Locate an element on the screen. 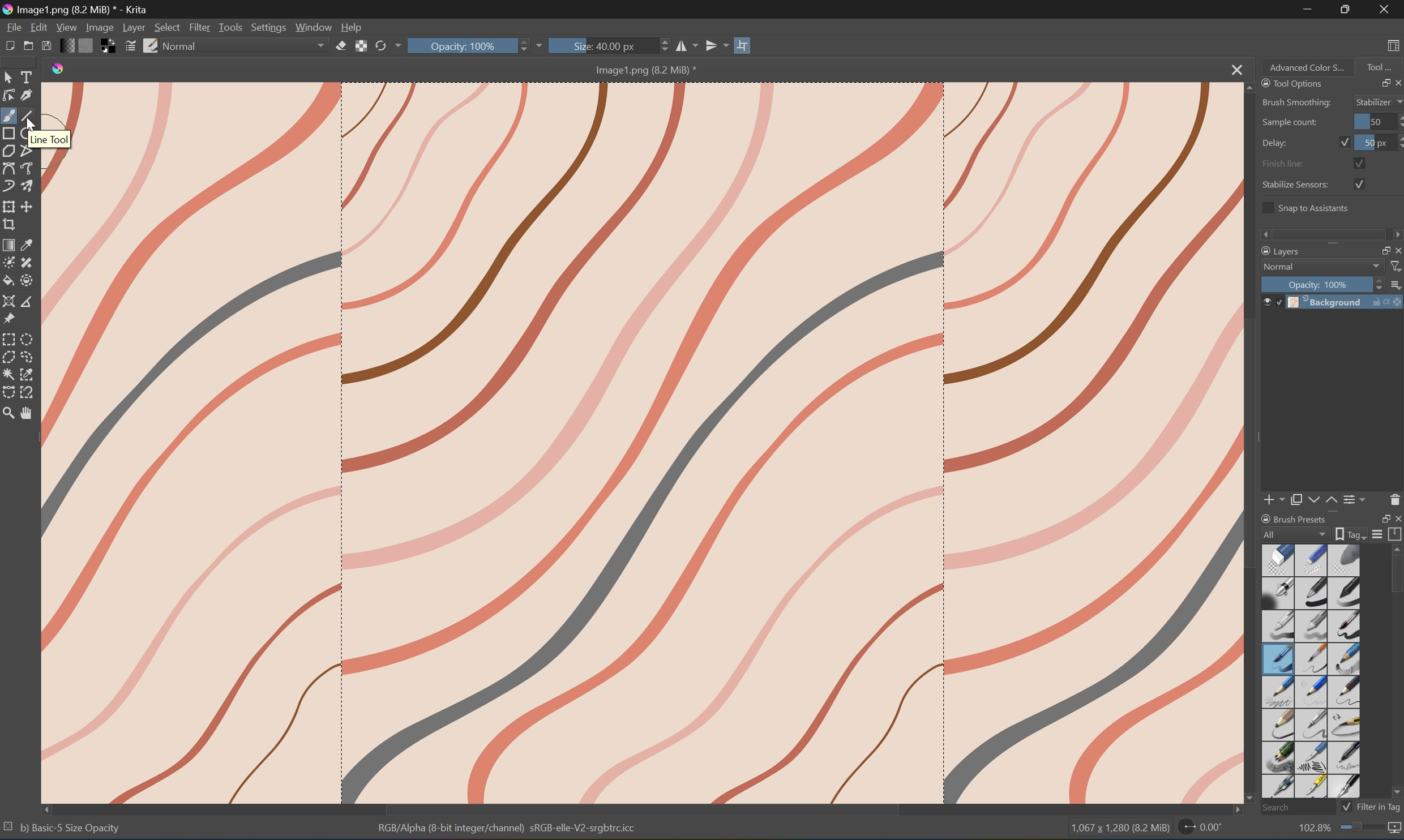 The image size is (1404, 840). Slider is located at coordinates (1362, 827).